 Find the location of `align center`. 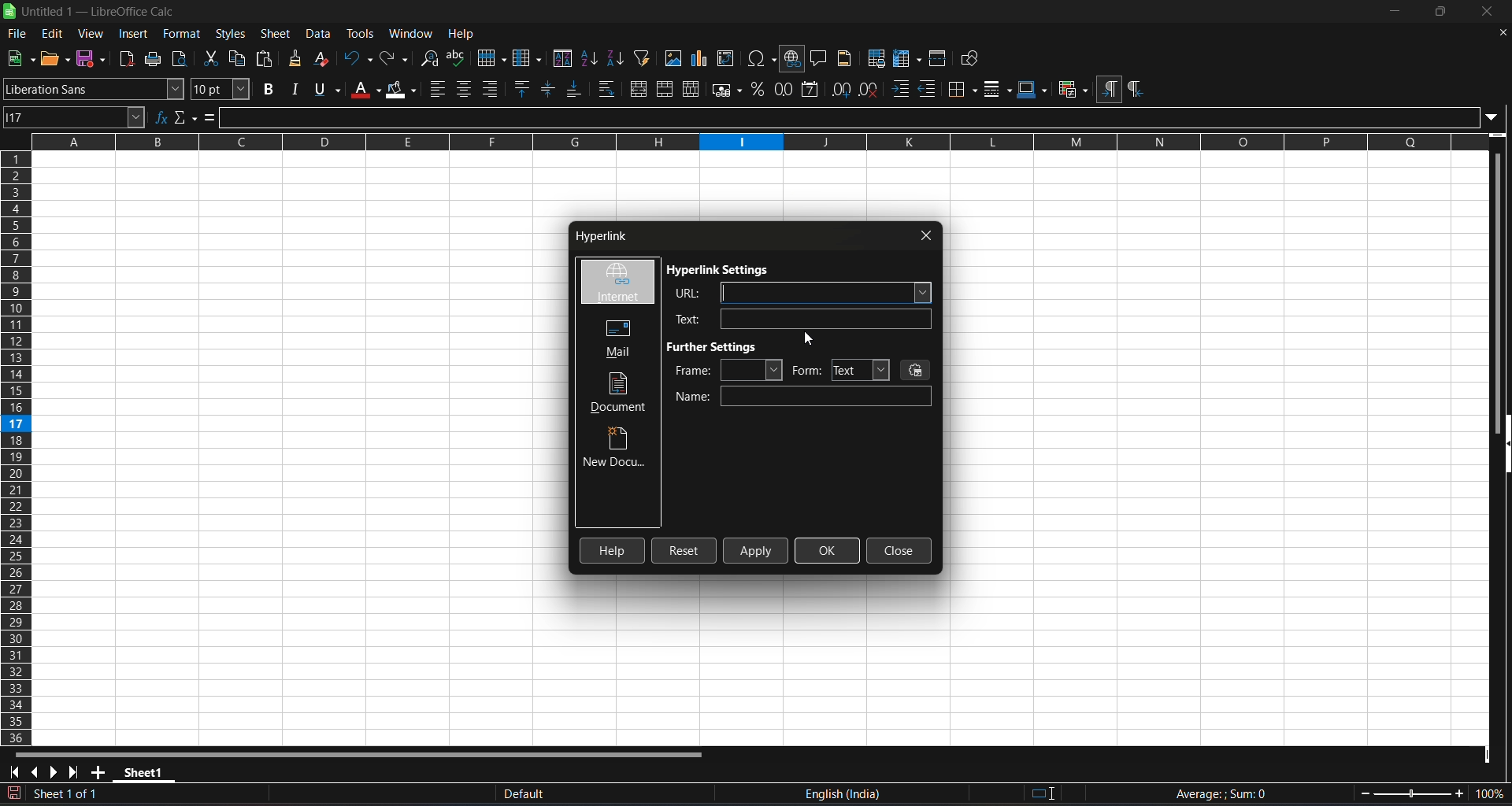

align center is located at coordinates (465, 89).